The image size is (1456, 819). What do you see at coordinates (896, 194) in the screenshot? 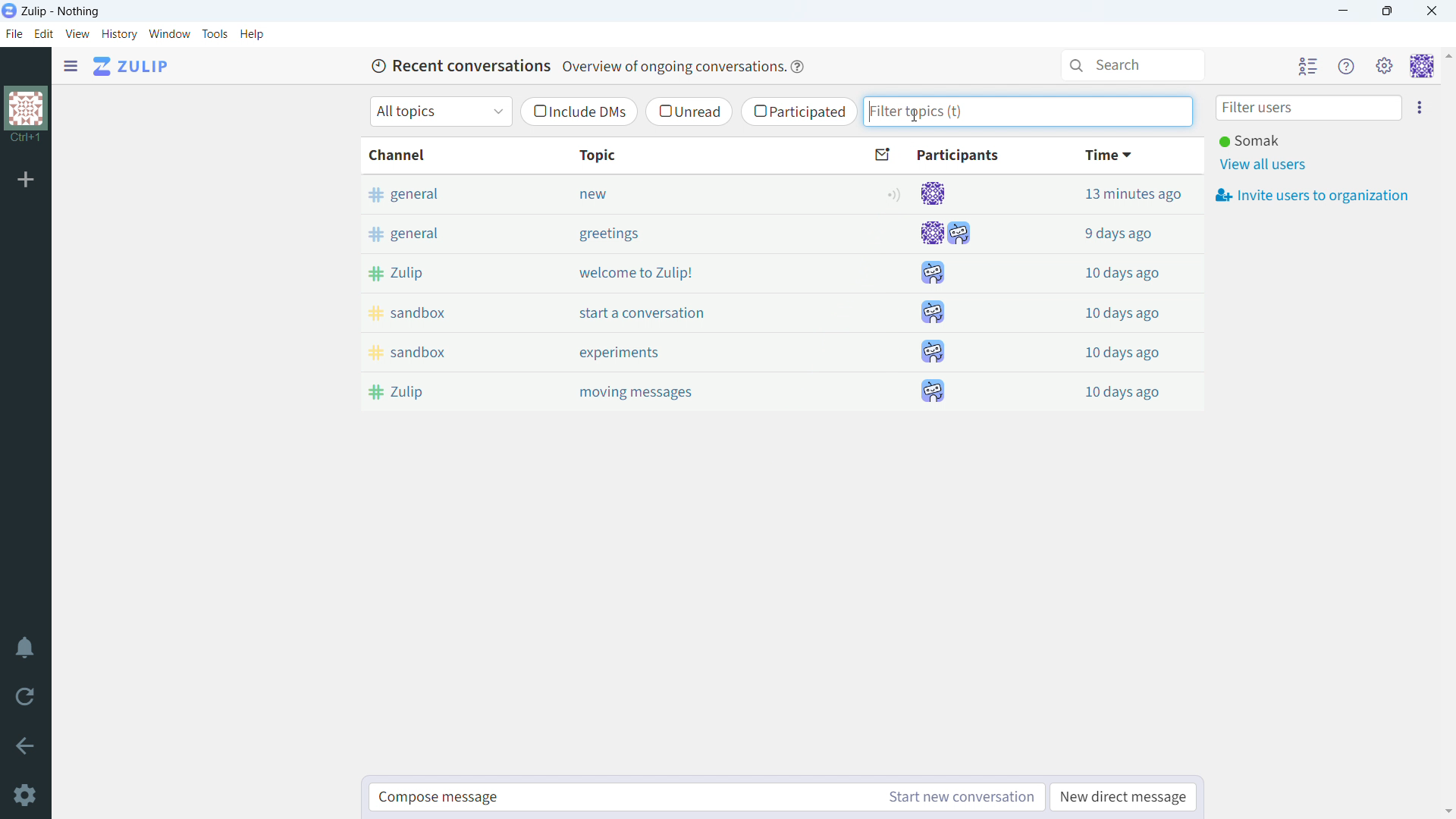
I see `active status` at bounding box center [896, 194].